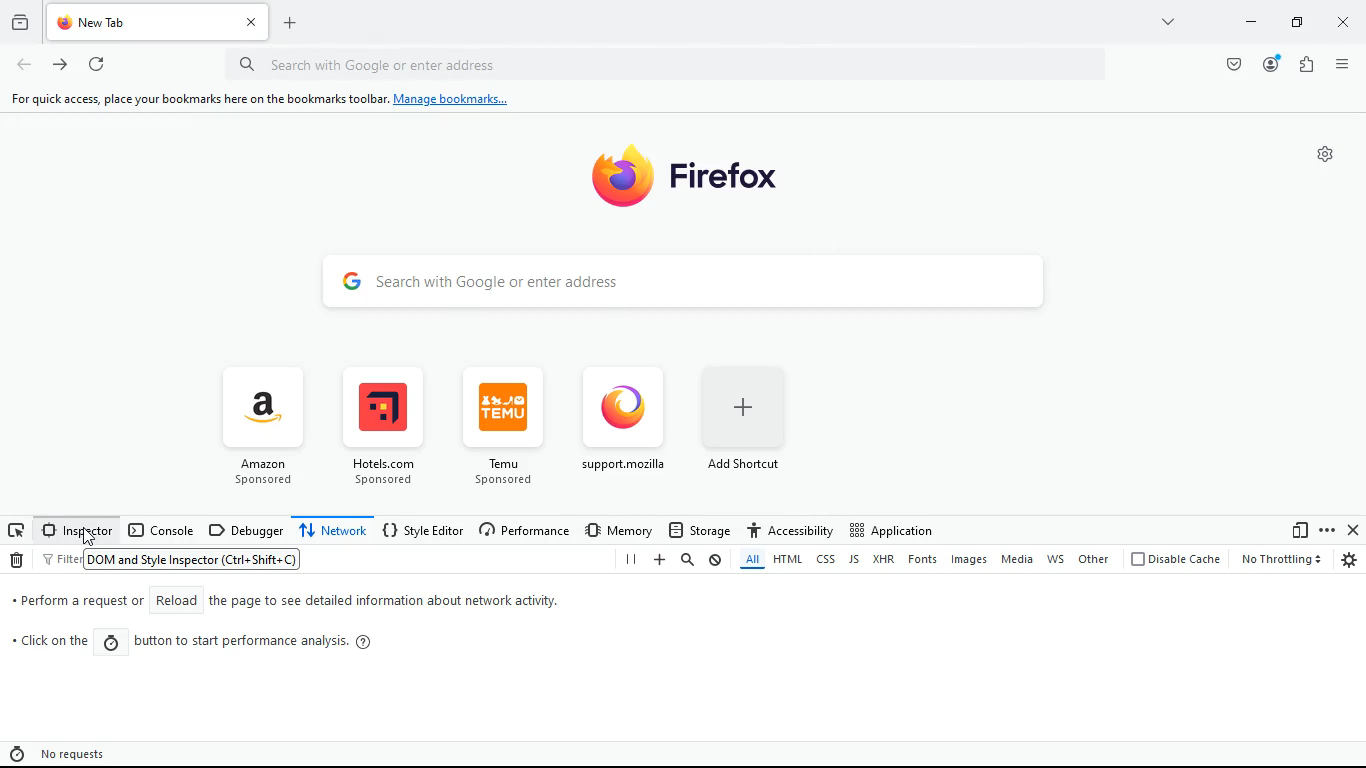 The height and width of the screenshot is (768, 1366). I want to click on ws, so click(1058, 559).